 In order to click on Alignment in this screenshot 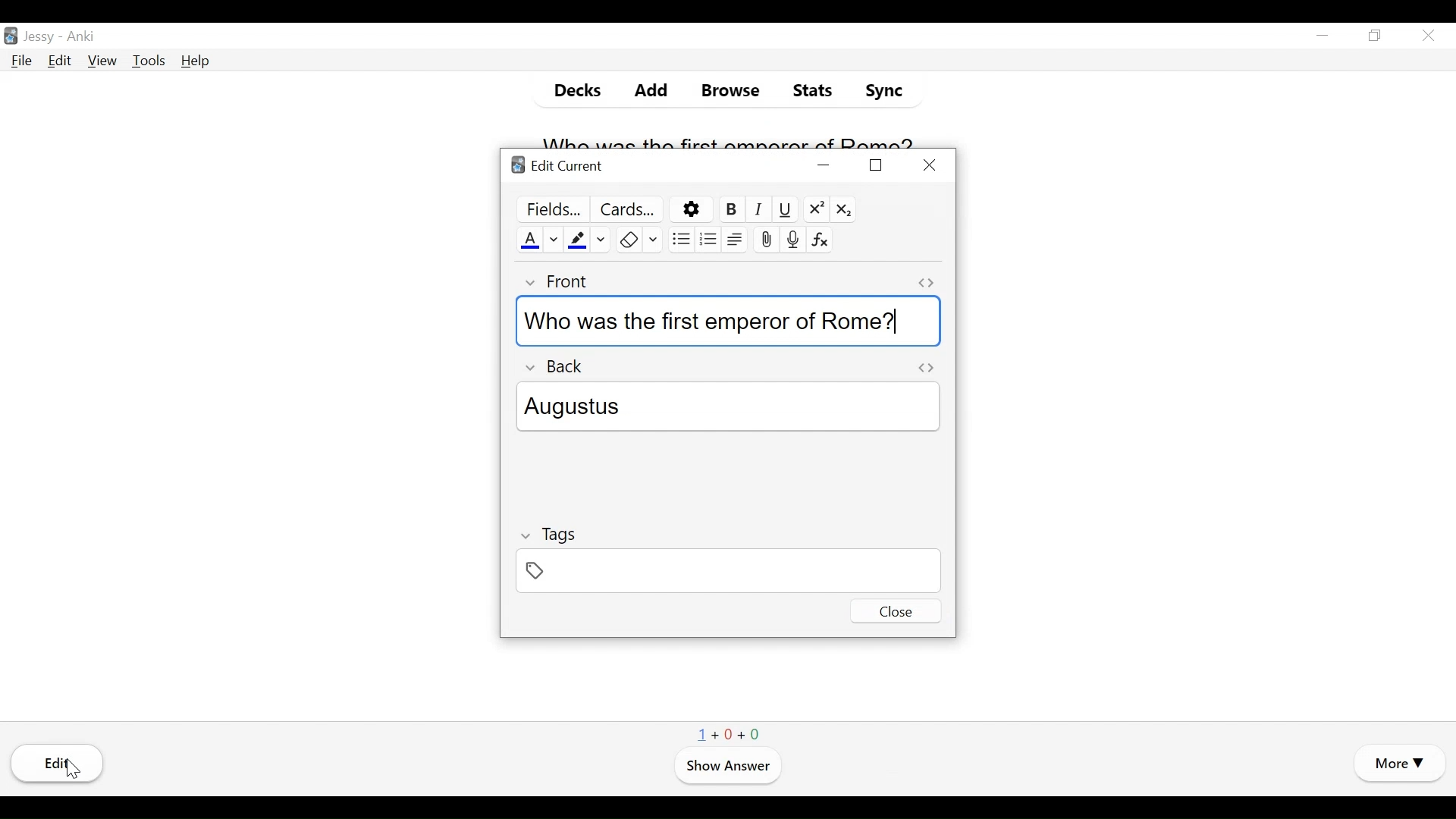, I will do `click(736, 240)`.